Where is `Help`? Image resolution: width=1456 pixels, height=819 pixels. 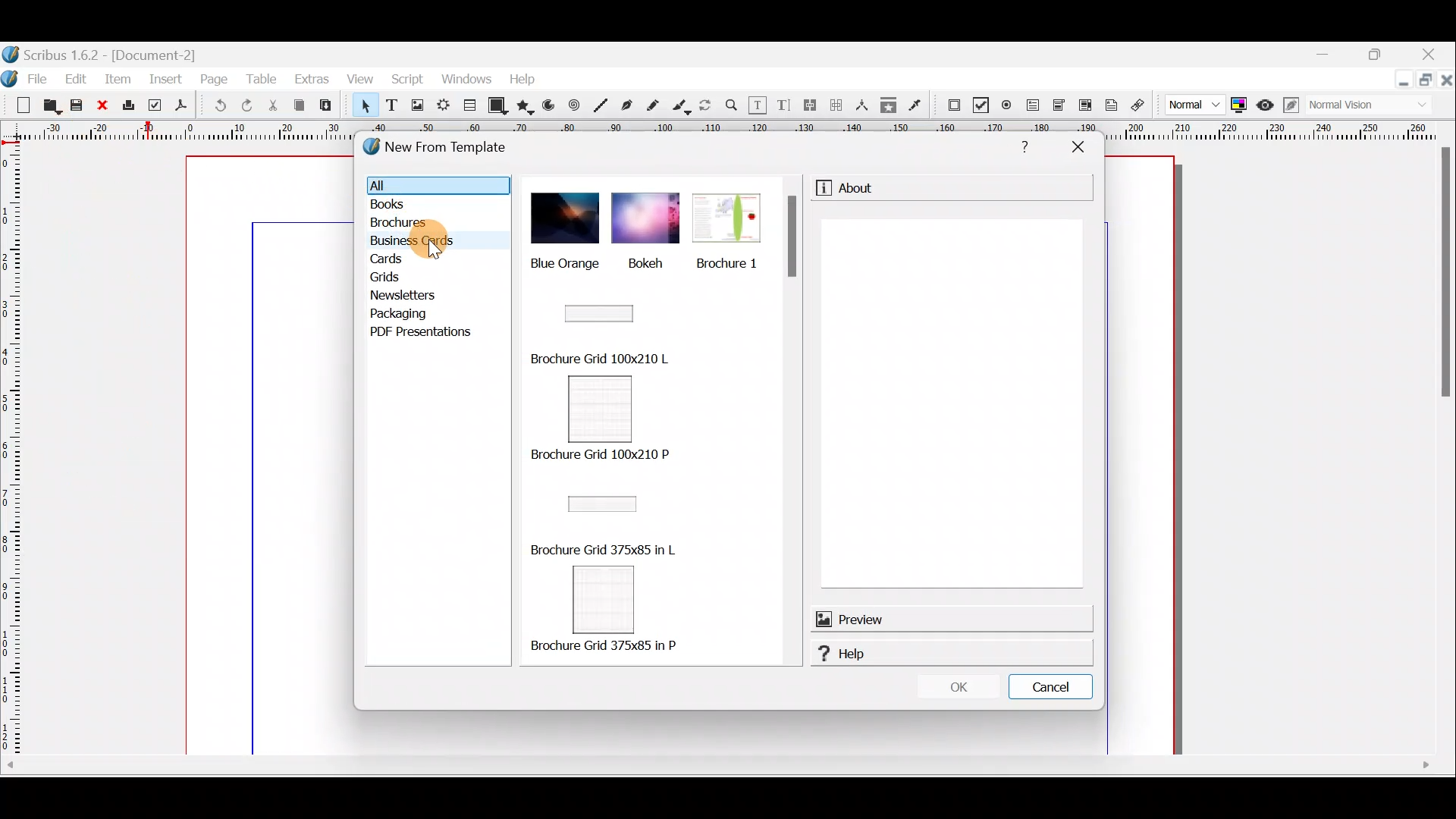 Help is located at coordinates (1027, 148).